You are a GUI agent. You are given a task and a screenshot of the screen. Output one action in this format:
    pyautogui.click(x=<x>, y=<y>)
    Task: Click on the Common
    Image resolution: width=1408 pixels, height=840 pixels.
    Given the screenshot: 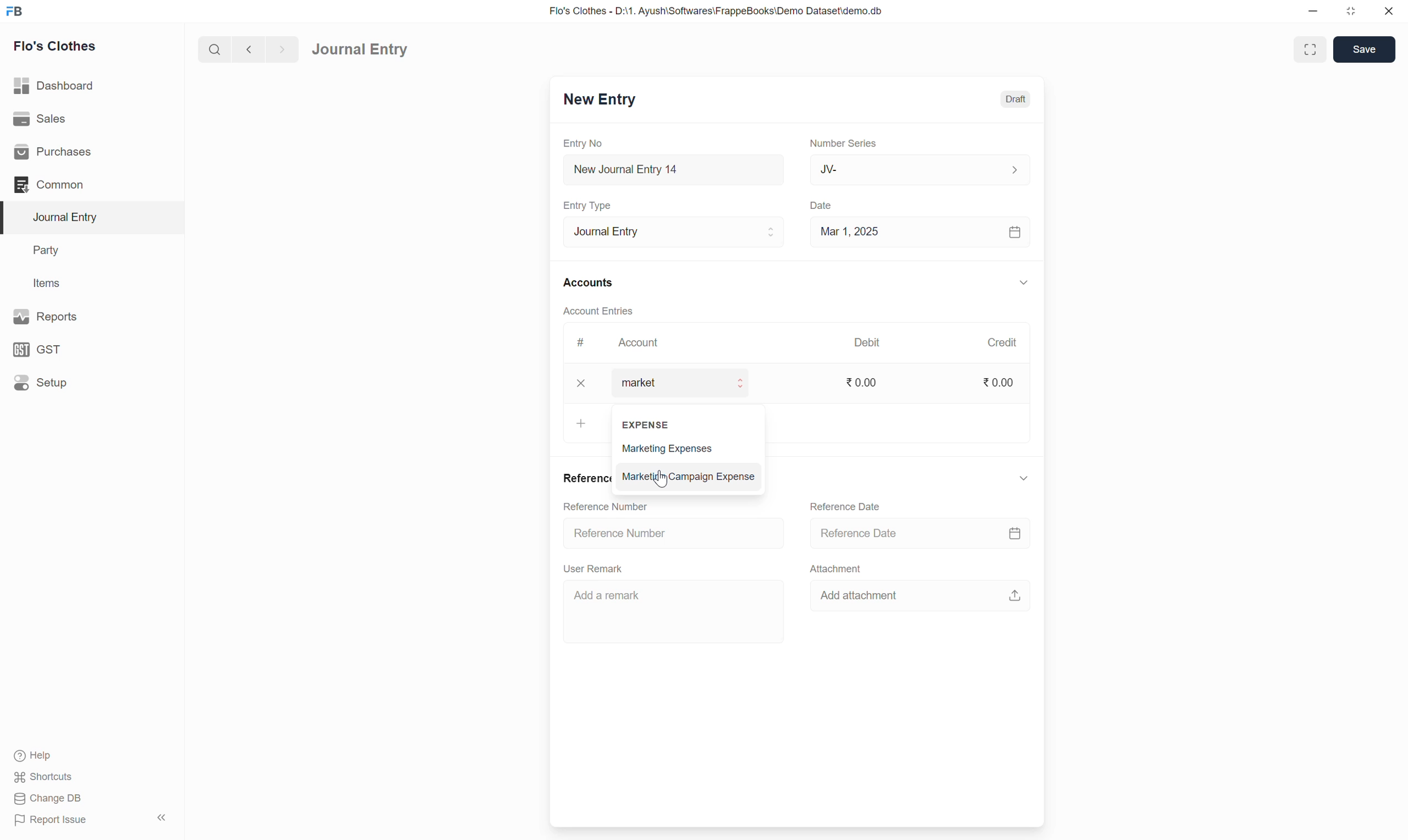 What is the action you would take?
    pyautogui.click(x=50, y=185)
    